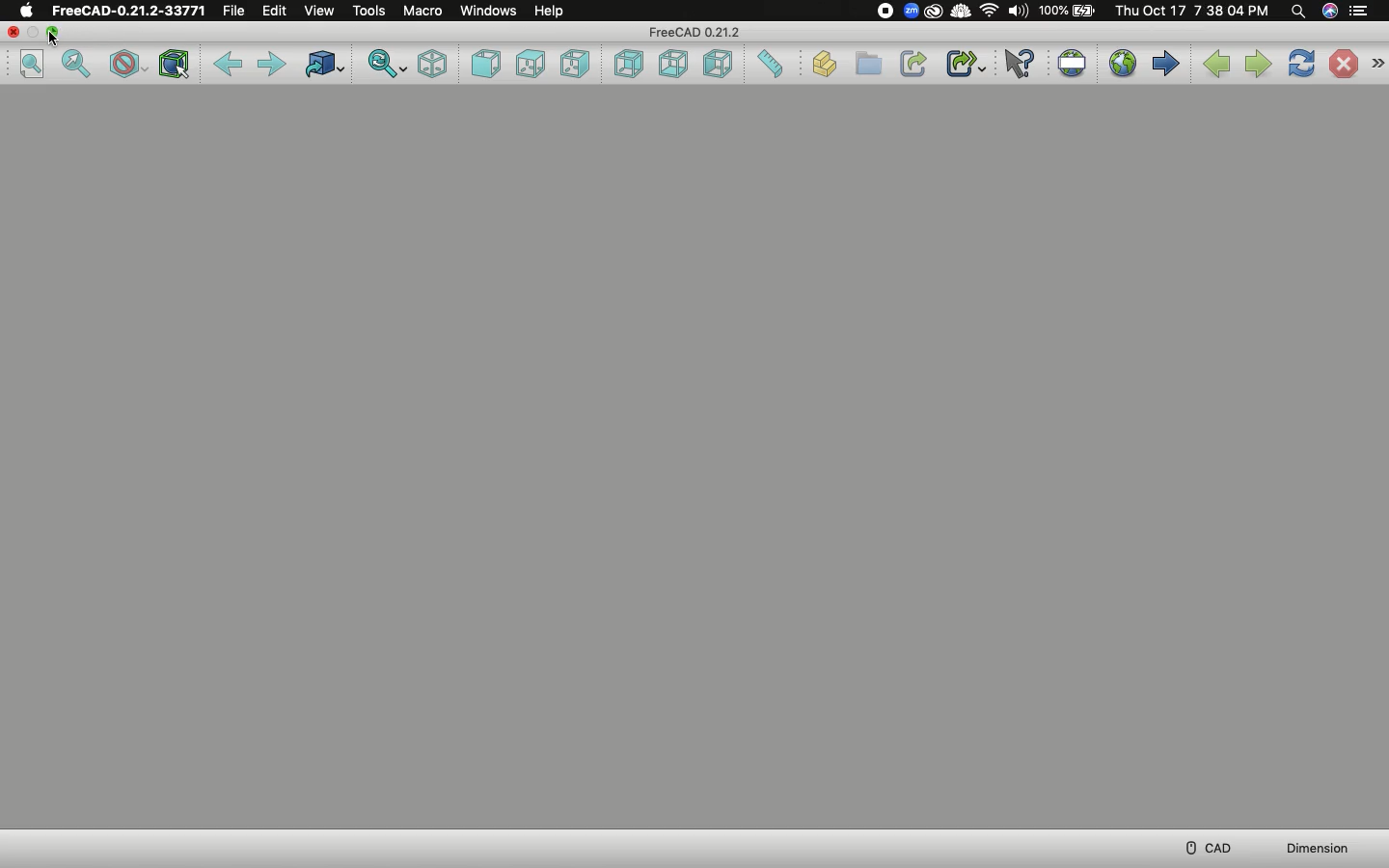 The image size is (1389, 868). Describe the element at coordinates (225, 64) in the screenshot. I see `Back` at that location.